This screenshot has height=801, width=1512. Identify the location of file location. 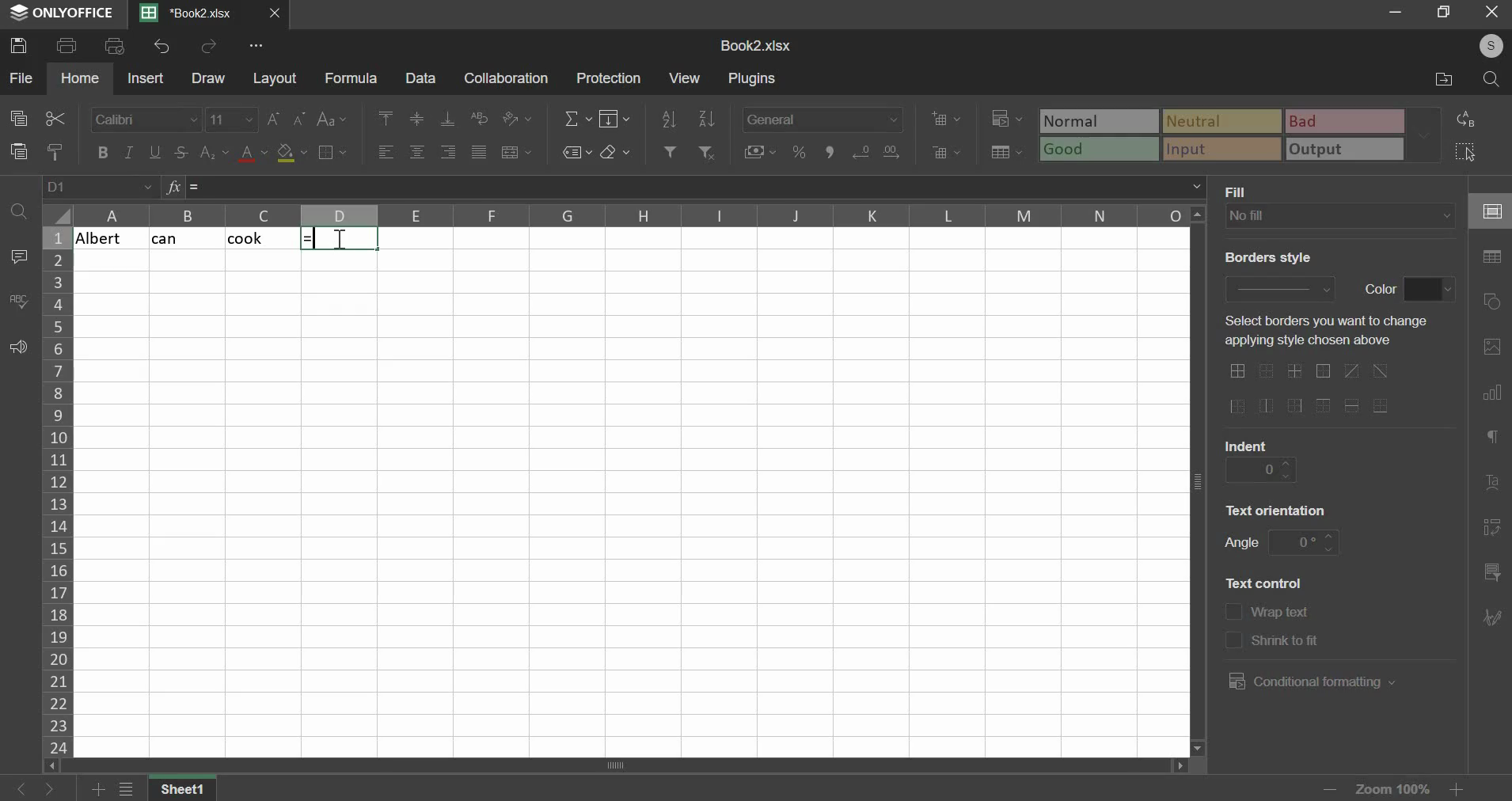
(1442, 81).